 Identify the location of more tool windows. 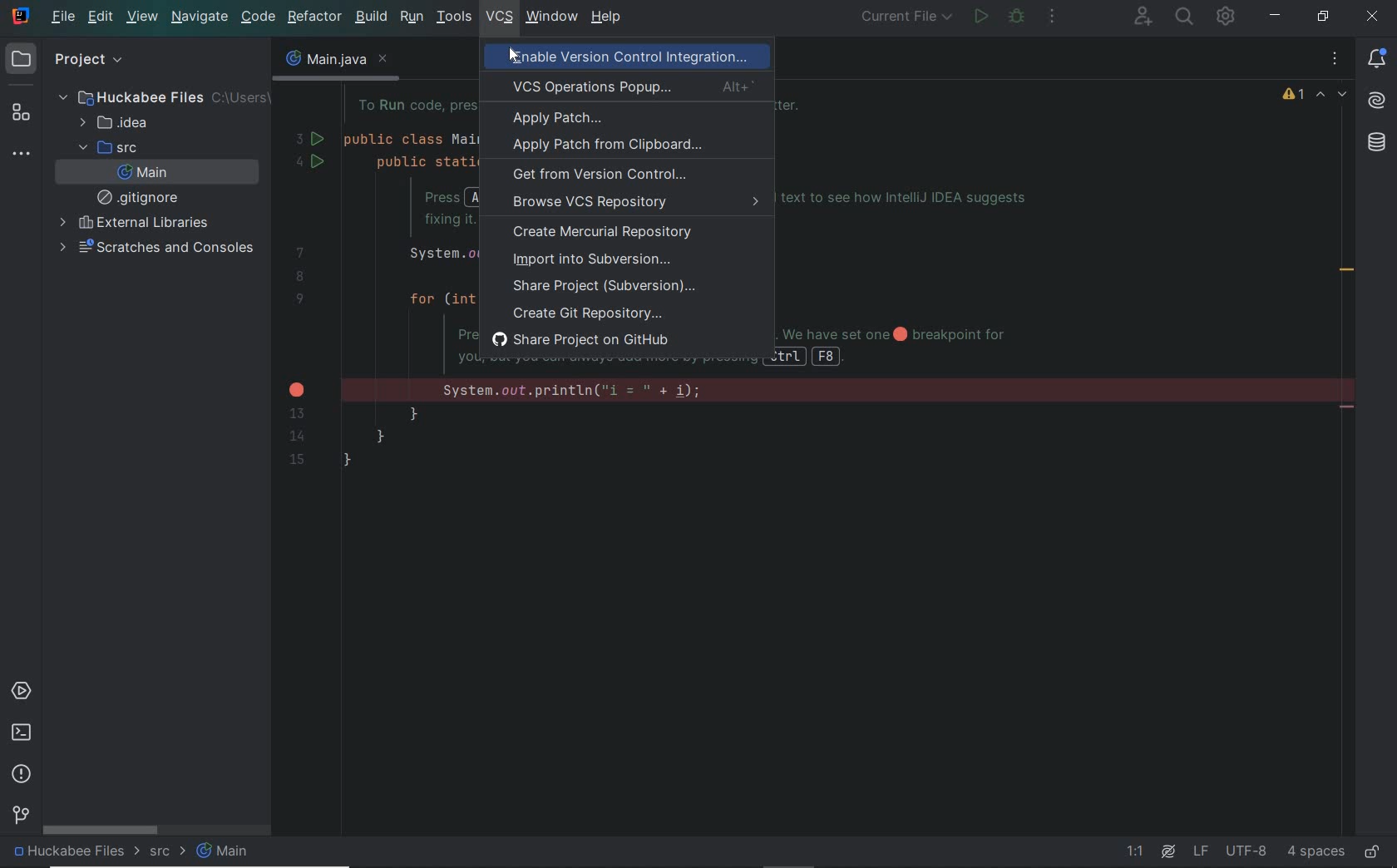
(23, 154).